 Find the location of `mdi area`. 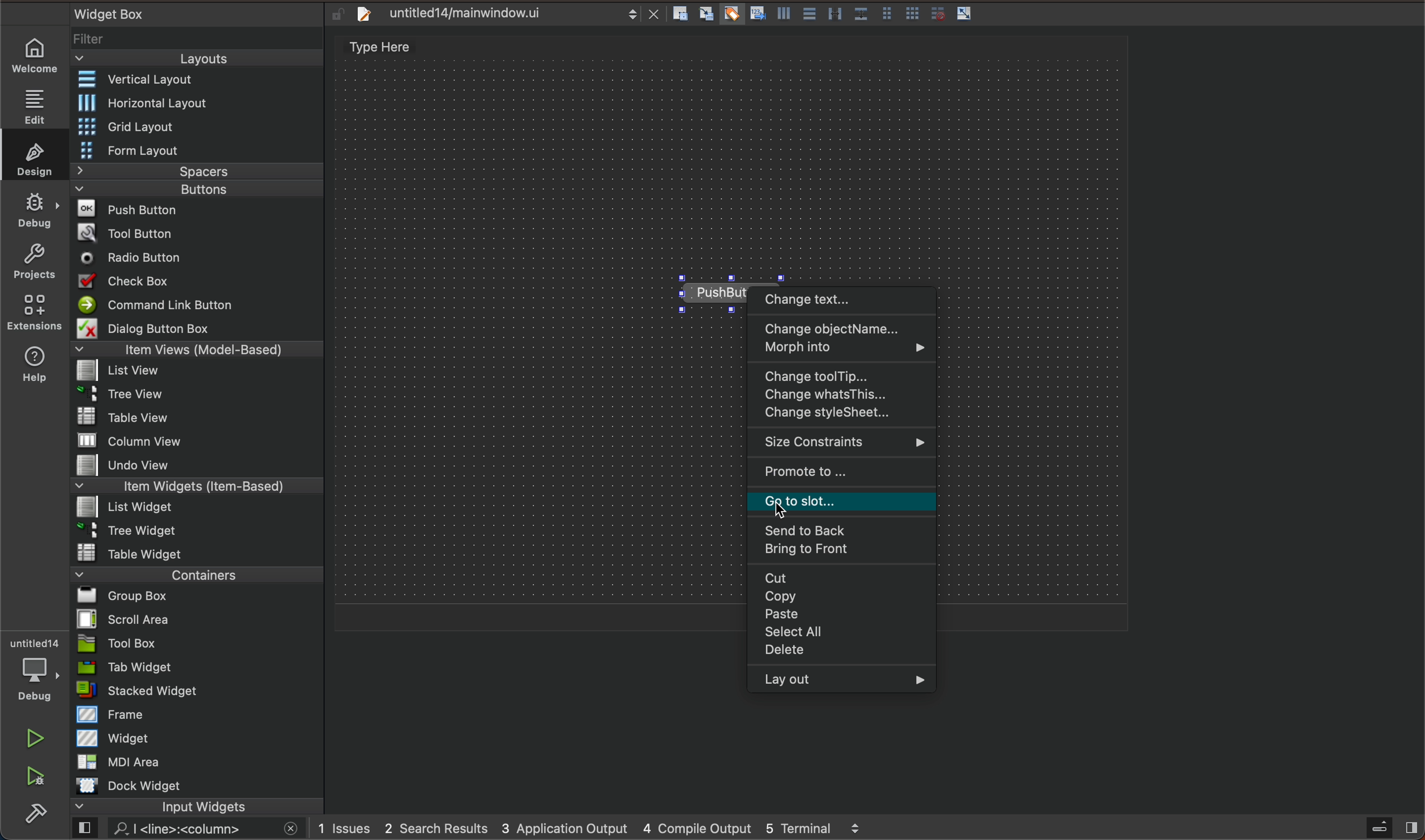

mdi area is located at coordinates (198, 765).